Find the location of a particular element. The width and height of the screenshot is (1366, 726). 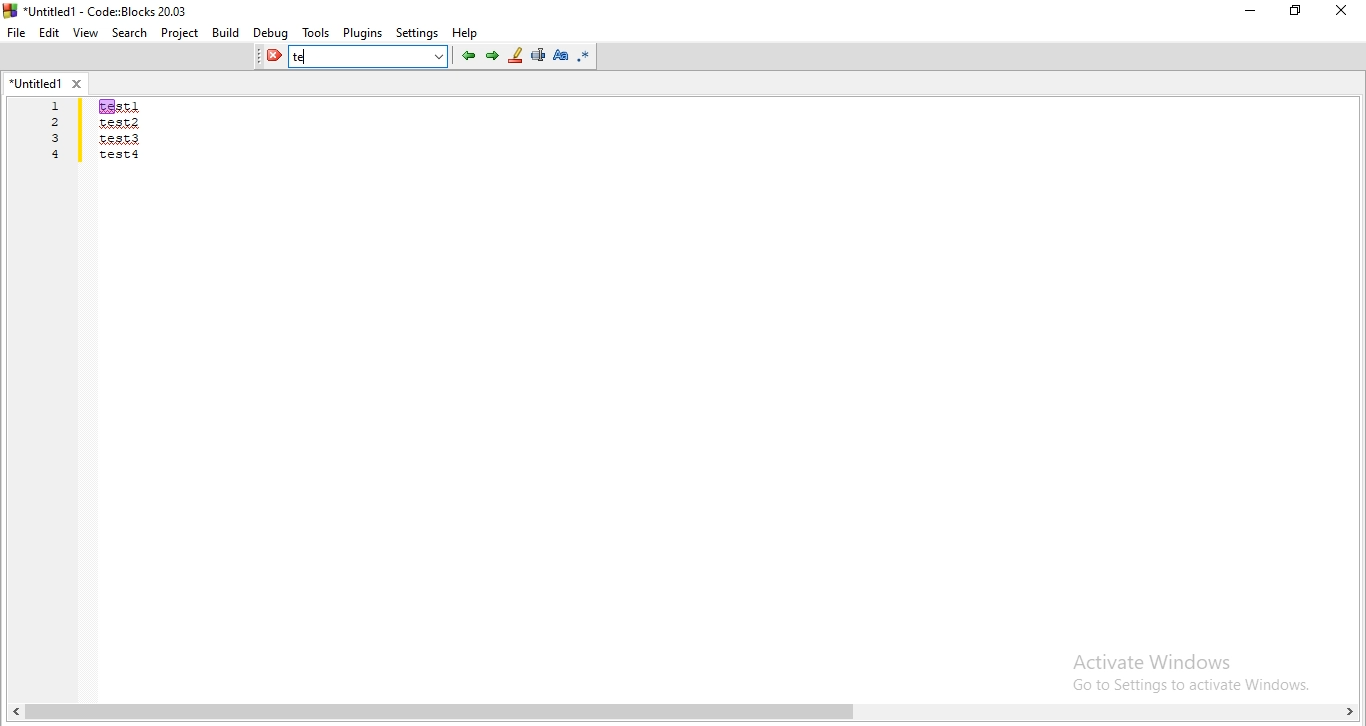

*Untitled1  is located at coordinates (37, 83).